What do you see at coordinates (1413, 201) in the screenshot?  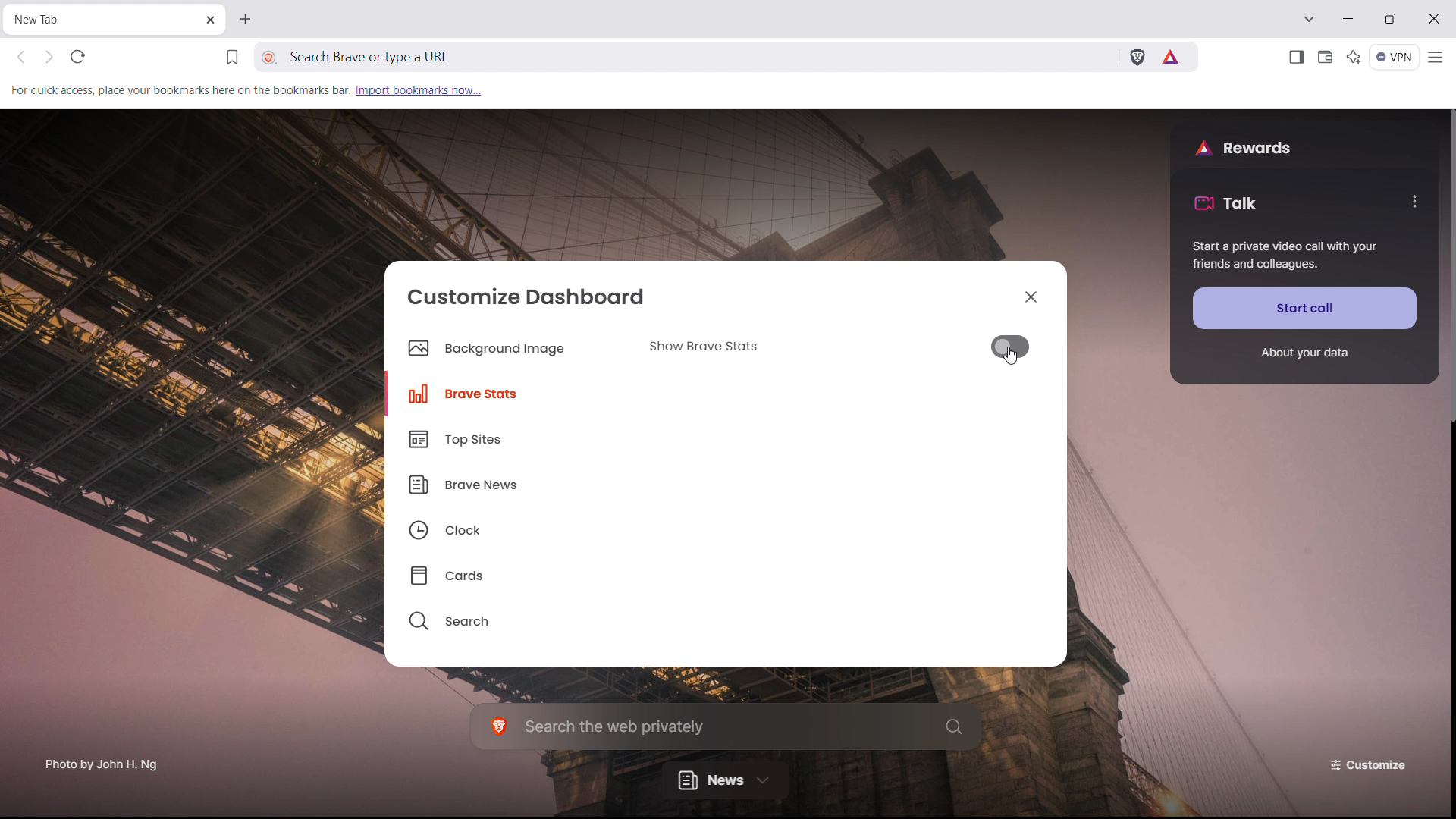 I see `options` at bounding box center [1413, 201].